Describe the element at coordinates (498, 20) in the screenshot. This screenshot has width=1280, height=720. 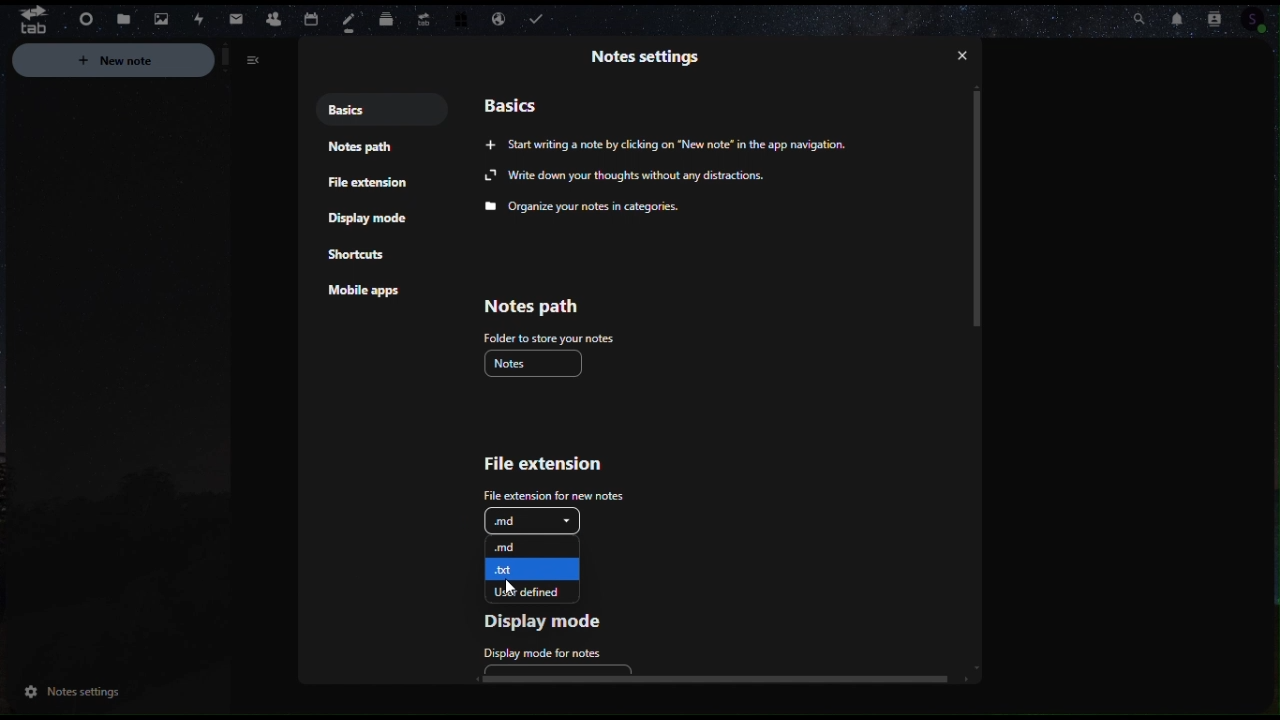
I see `Email handling` at that location.